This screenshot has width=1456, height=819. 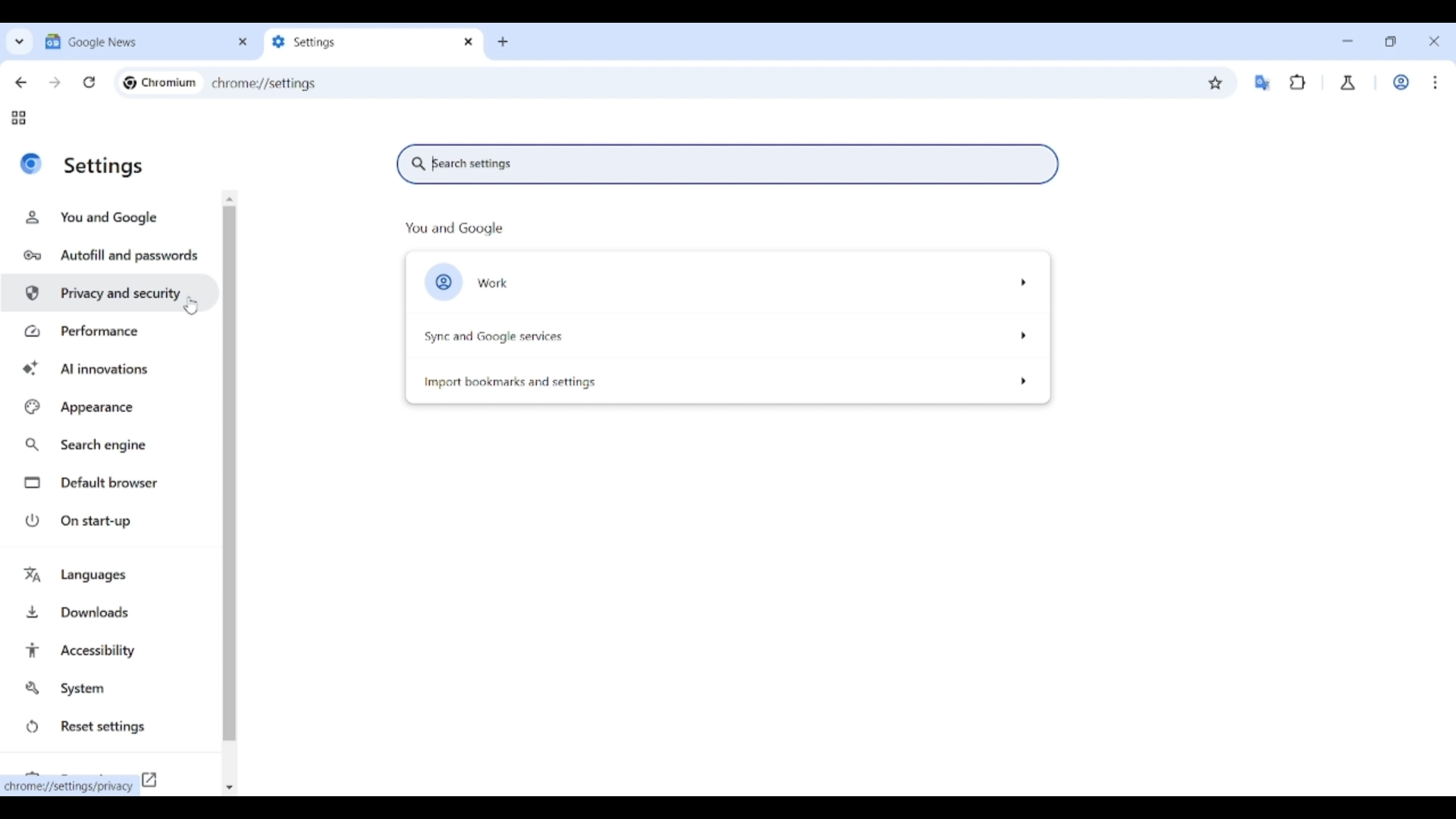 What do you see at coordinates (1348, 83) in the screenshot?
I see `Chrome labs` at bounding box center [1348, 83].